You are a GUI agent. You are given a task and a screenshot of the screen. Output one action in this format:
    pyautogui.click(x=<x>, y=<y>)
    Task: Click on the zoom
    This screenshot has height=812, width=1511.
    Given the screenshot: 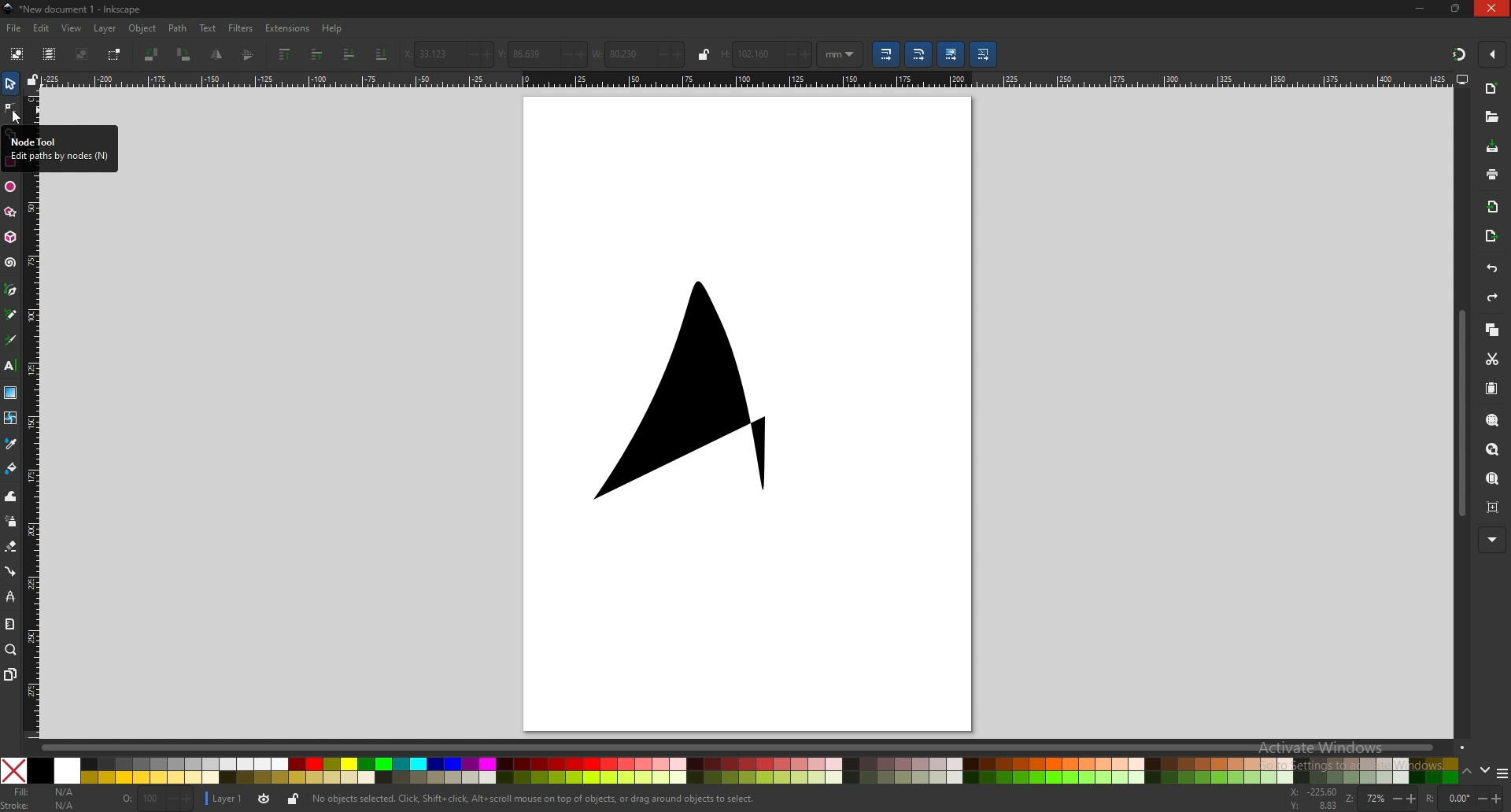 What is the action you would take?
    pyautogui.click(x=1381, y=798)
    